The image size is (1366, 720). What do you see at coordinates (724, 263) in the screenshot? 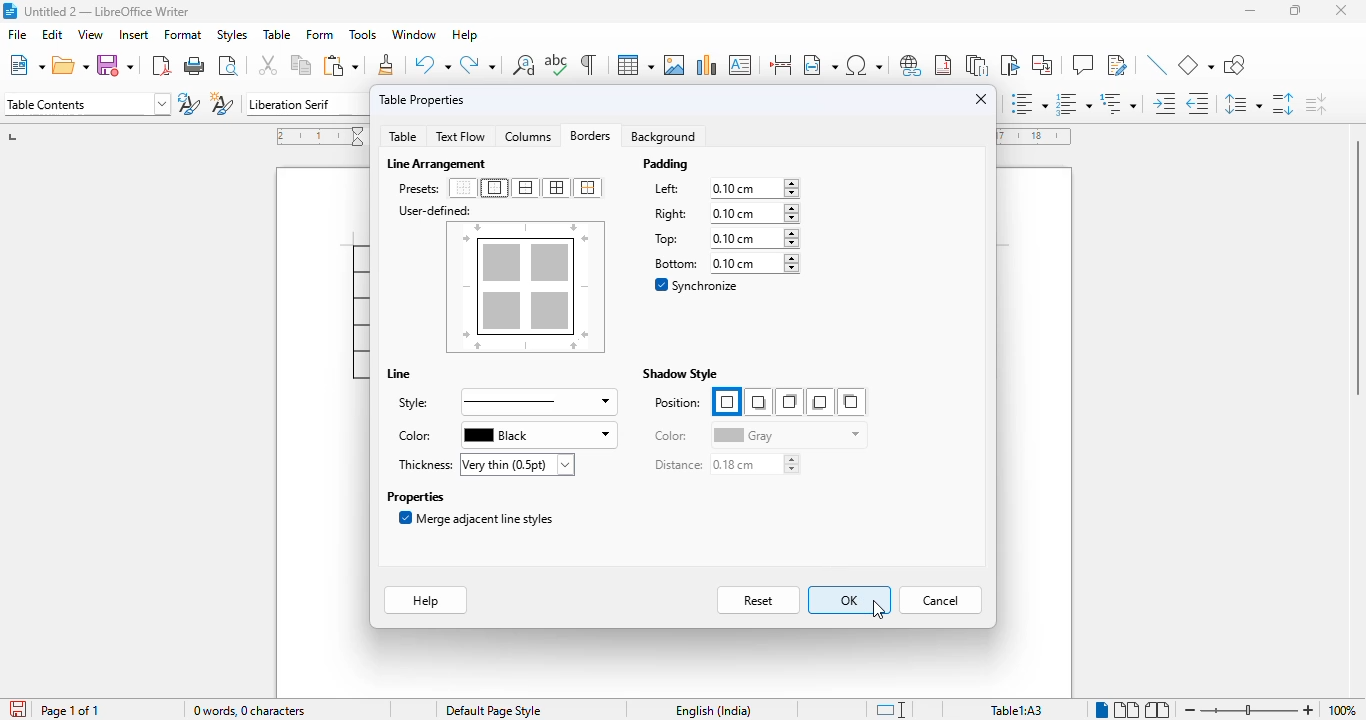
I see `bottom: 0.10 cm` at bounding box center [724, 263].